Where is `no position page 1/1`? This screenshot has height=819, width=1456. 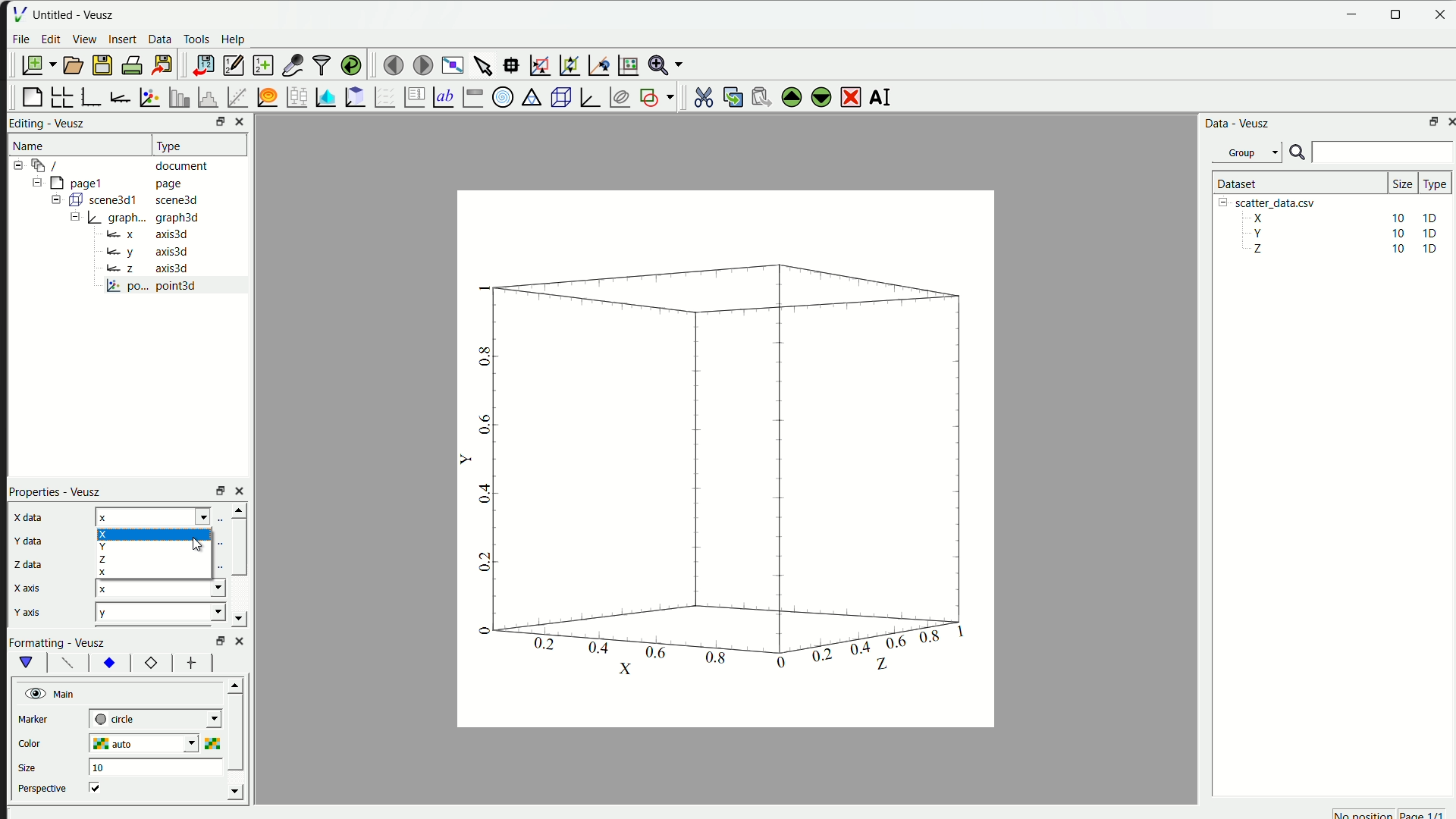
no position page 1/1 is located at coordinates (1393, 812).